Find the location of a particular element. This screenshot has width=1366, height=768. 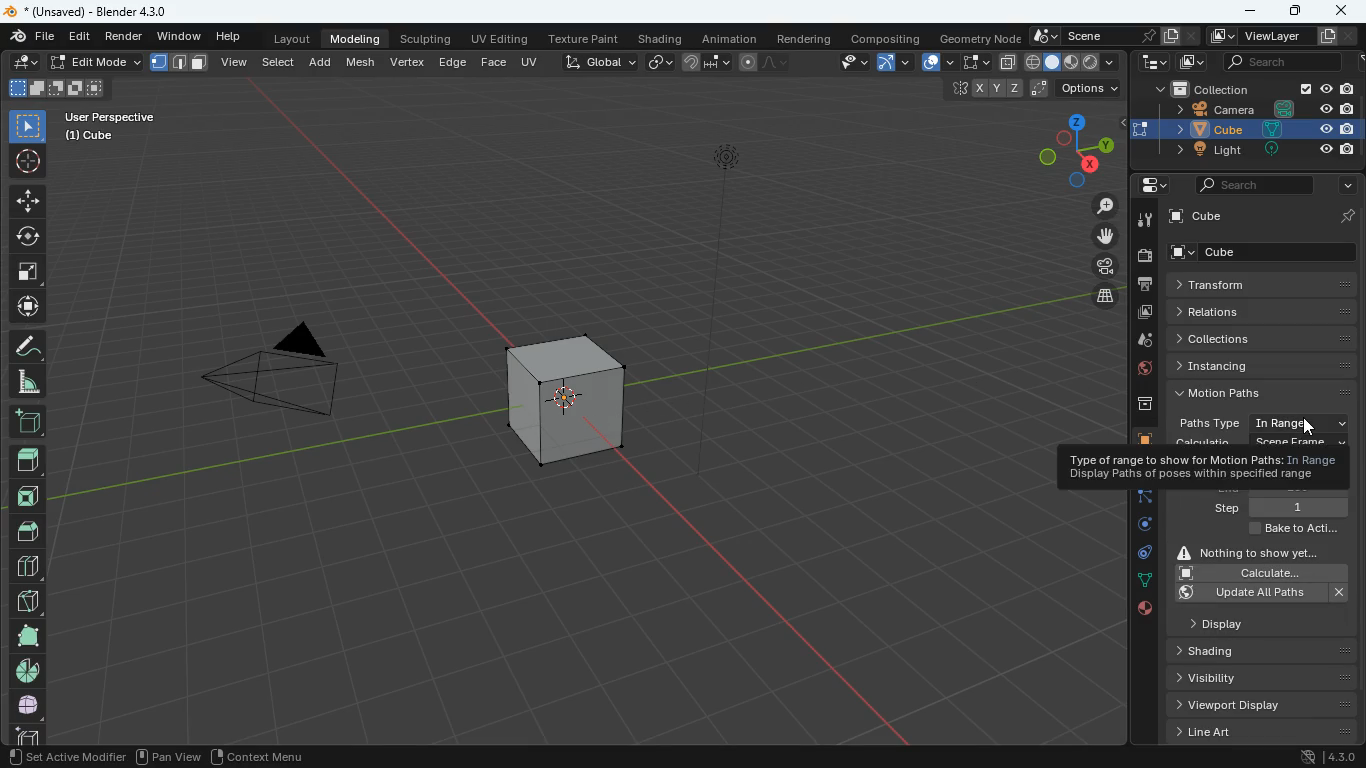

copy is located at coordinates (1007, 62).